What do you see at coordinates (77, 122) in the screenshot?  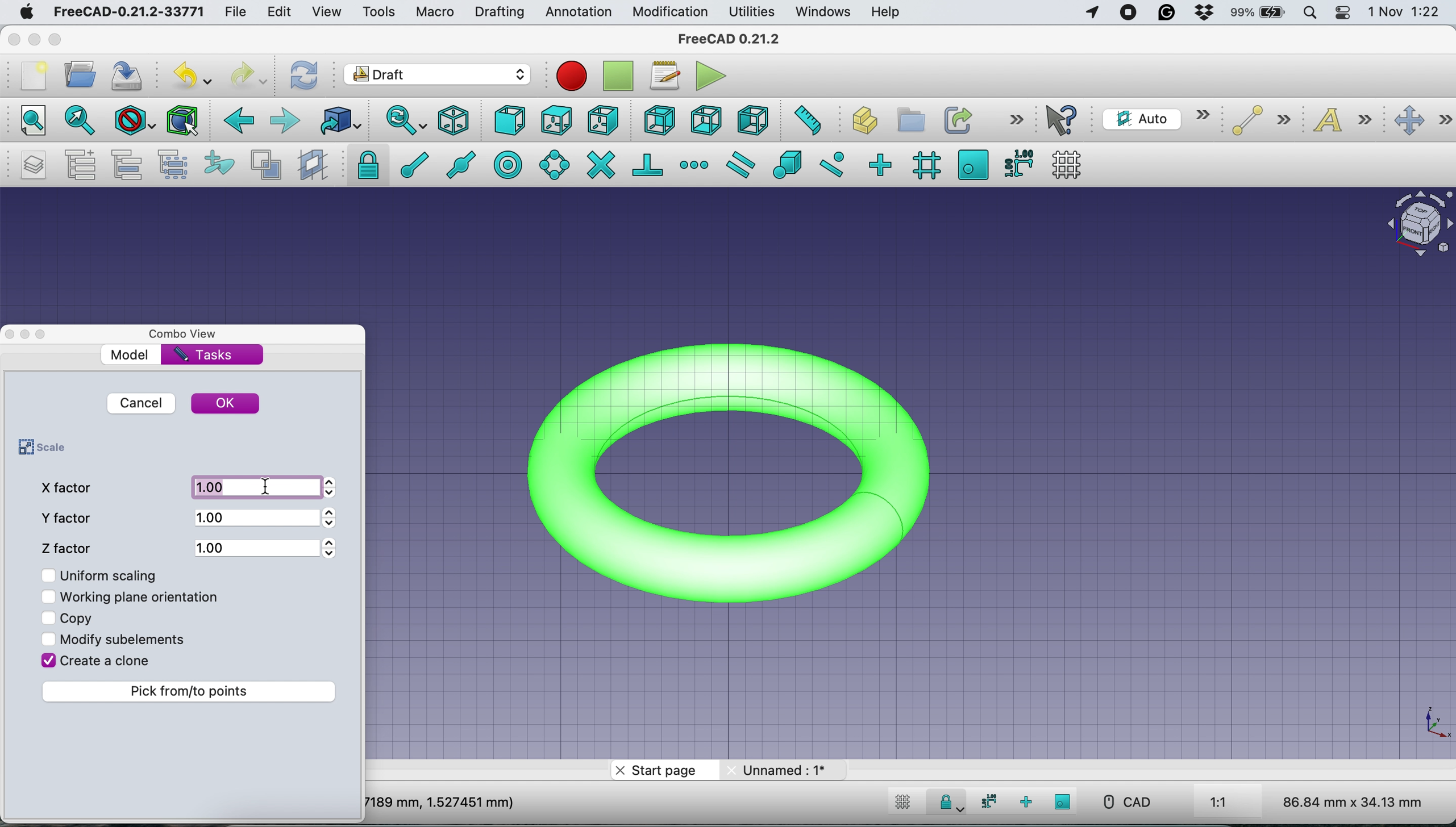 I see `fit all selection` at bounding box center [77, 122].